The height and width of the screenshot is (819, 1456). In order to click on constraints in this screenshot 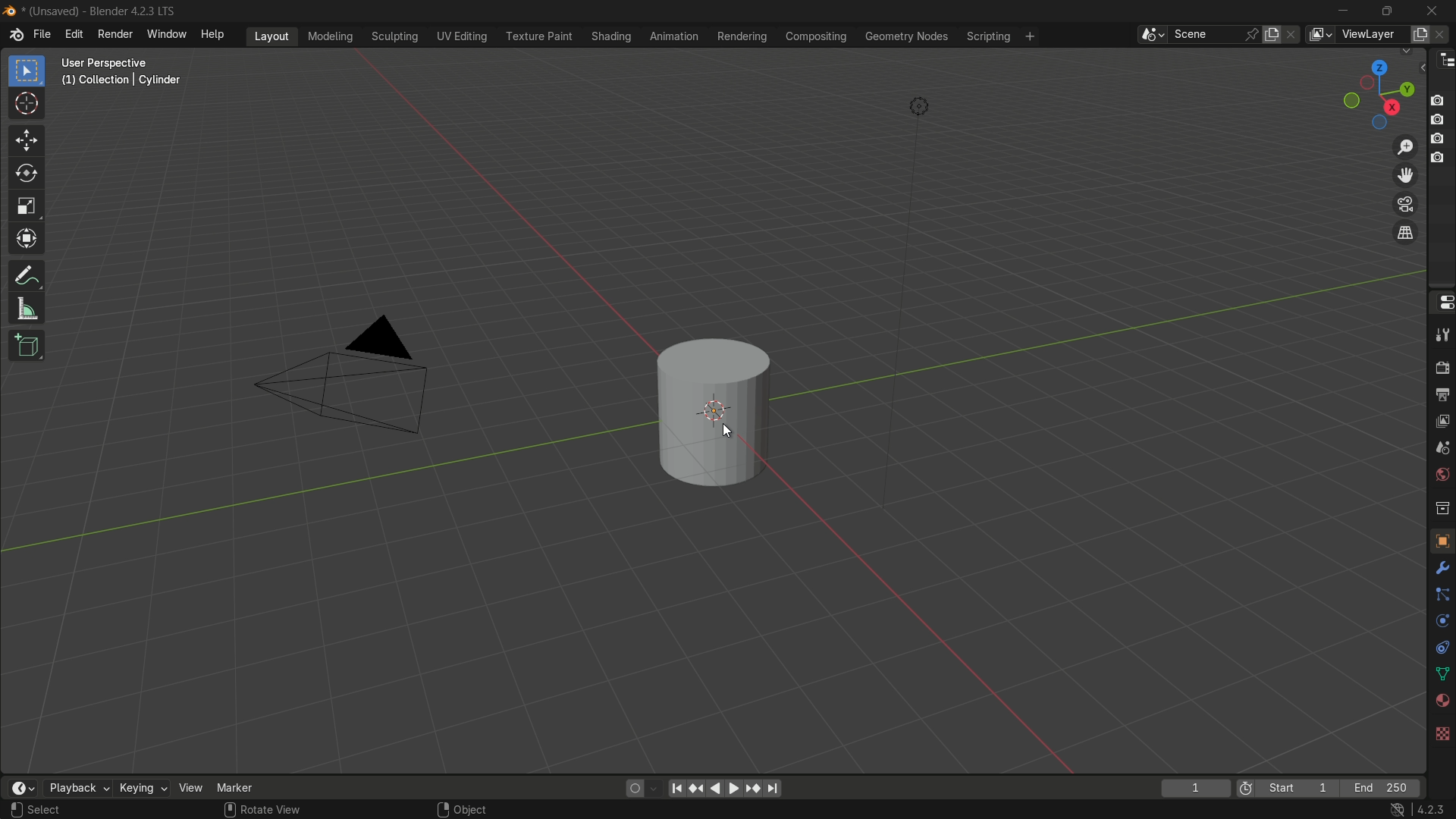, I will do `click(1441, 650)`.